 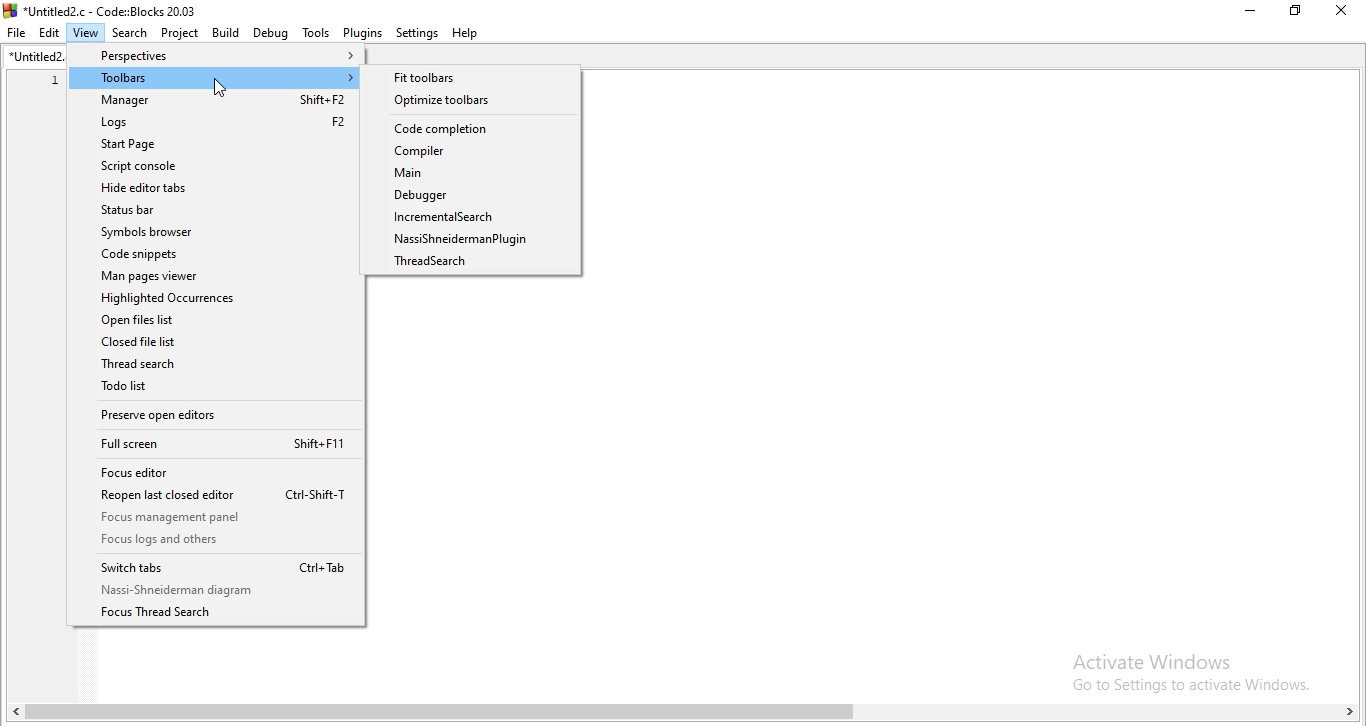 I want to click on View , so click(x=81, y=34).